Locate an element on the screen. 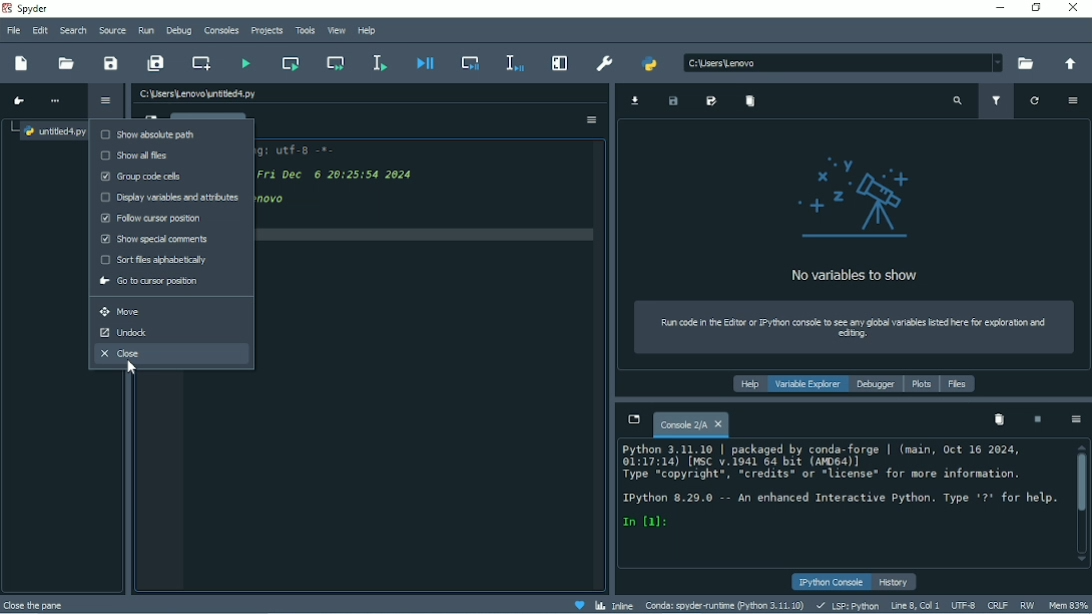 This screenshot has height=614, width=1092. Run current cell and go to the next one is located at coordinates (334, 61).